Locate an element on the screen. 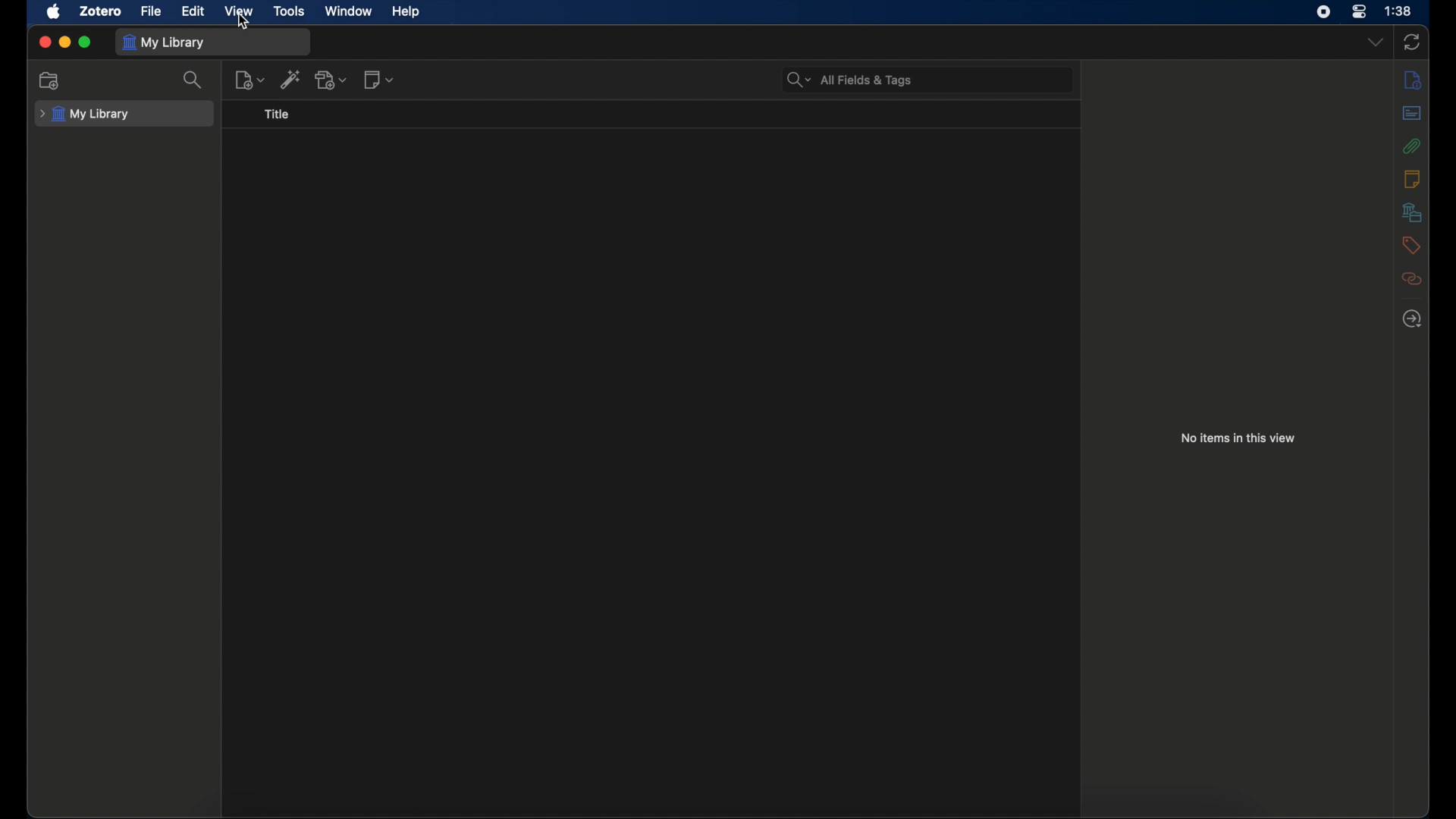  control center is located at coordinates (1360, 12).